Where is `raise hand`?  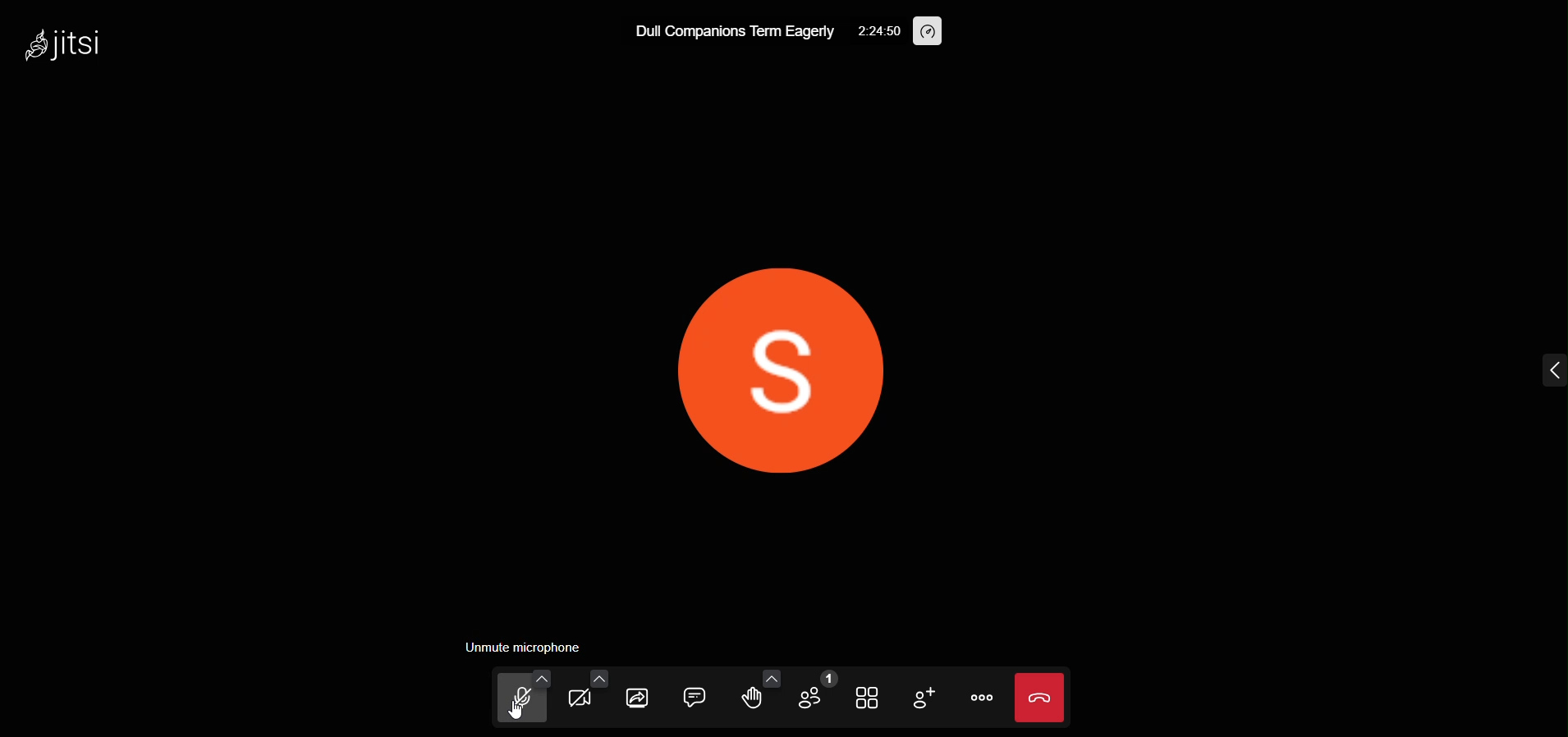
raise hand is located at coordinates (745, 699).